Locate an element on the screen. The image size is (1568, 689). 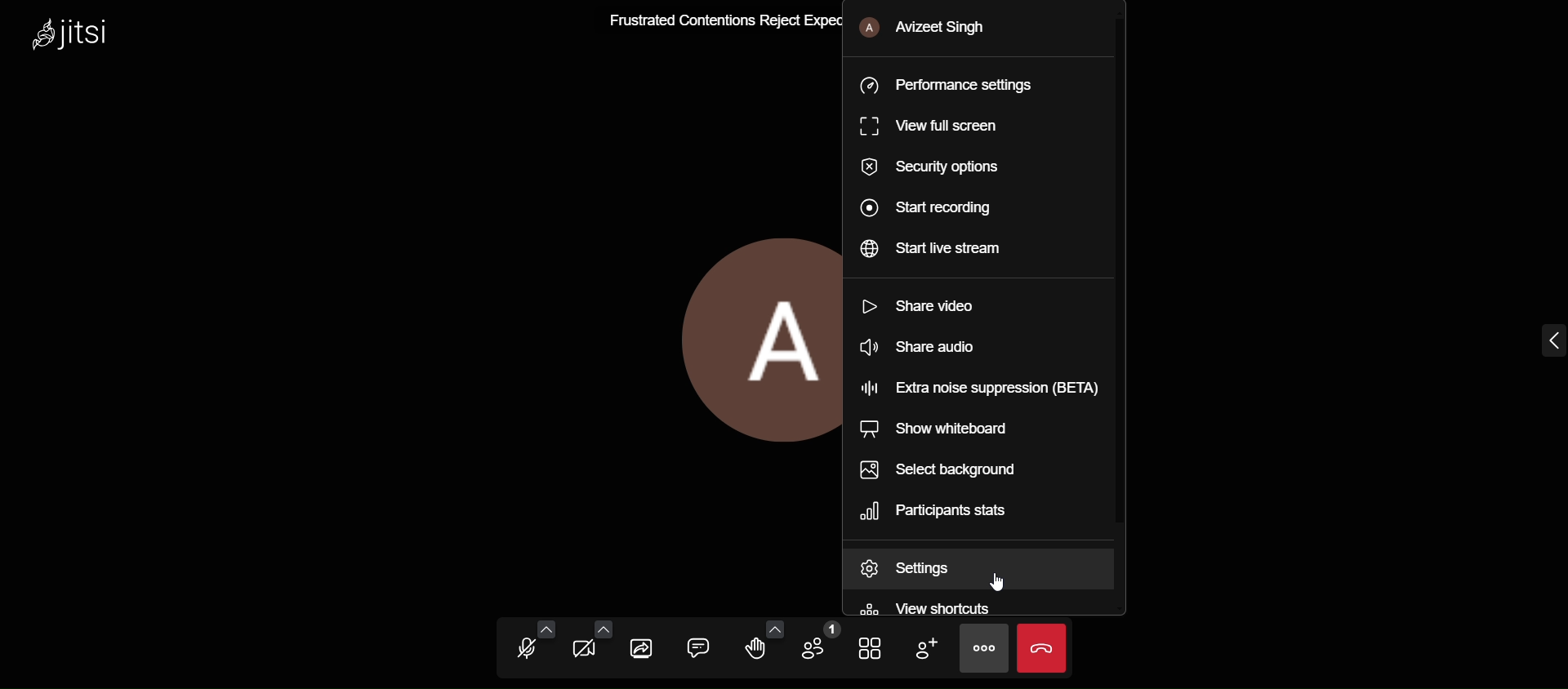
view full screen is located at coordinates (933, 125).